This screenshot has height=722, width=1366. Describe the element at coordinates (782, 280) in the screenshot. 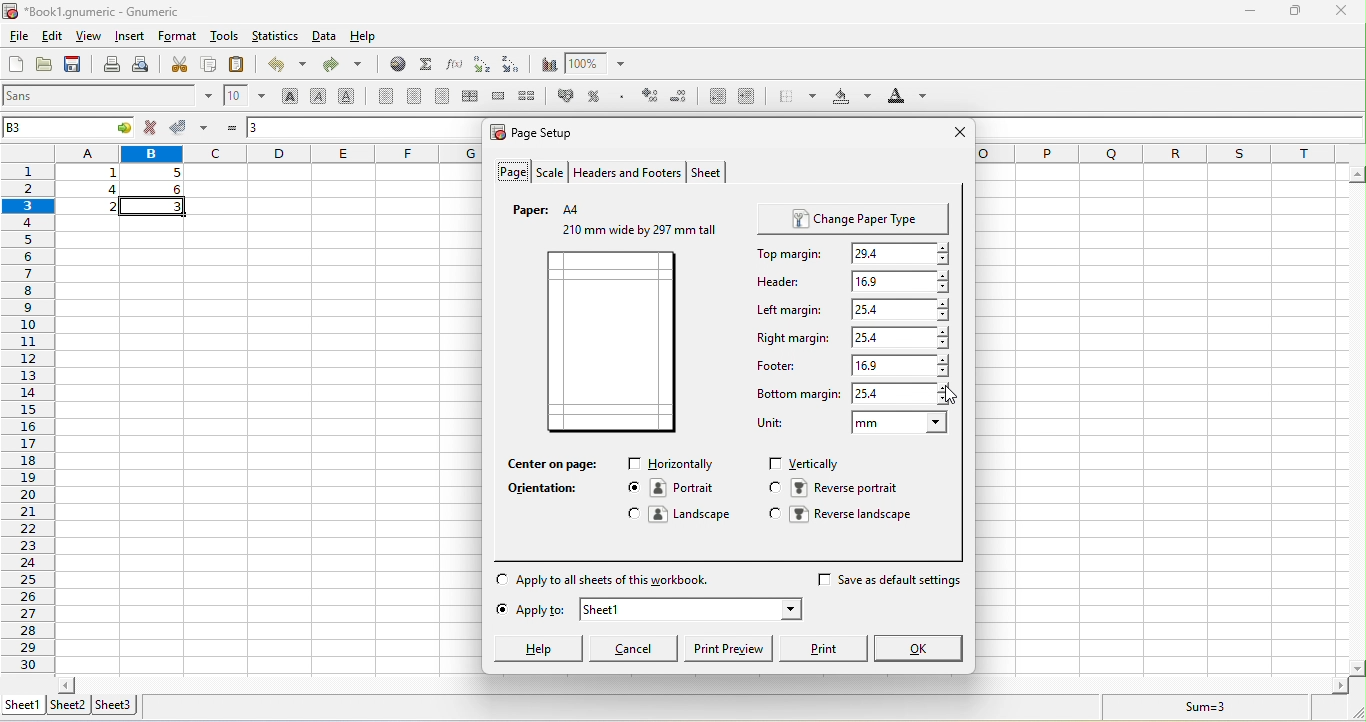

I see `header` at that location.